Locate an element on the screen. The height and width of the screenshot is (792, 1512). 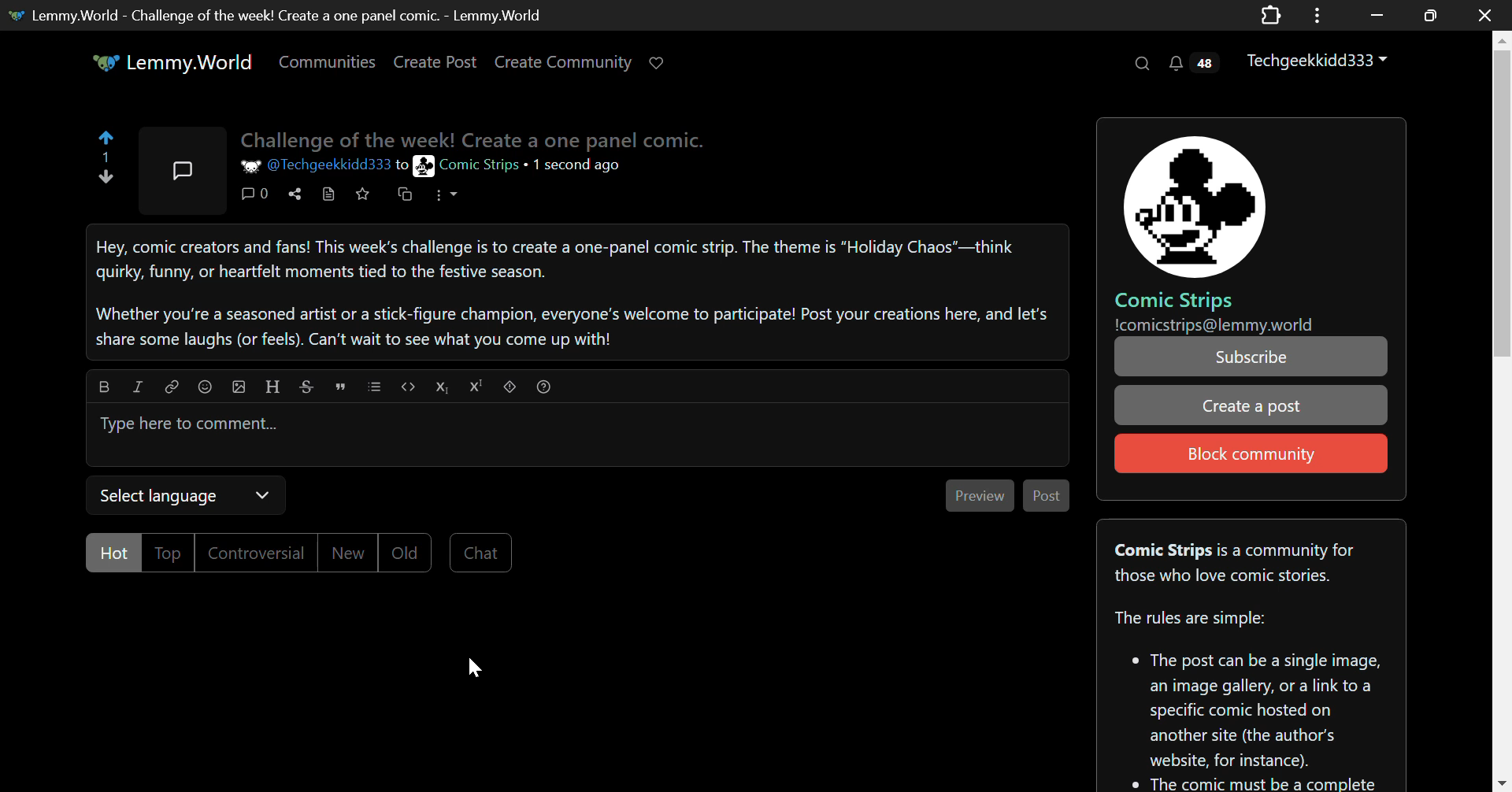
list is located at coordinates (376, 387).